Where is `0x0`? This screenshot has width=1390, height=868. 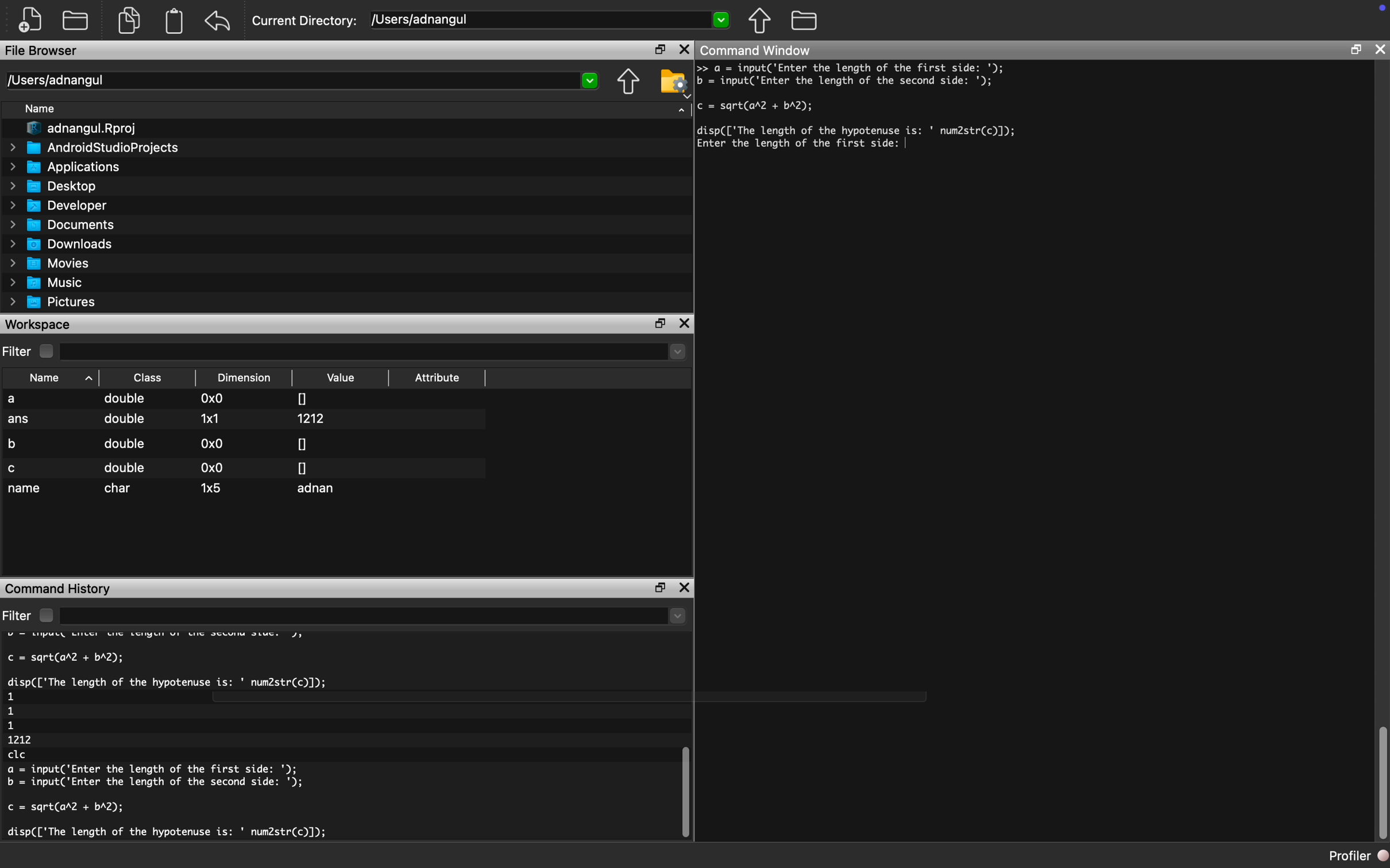 0x0 is located at coordinates (213, 443).